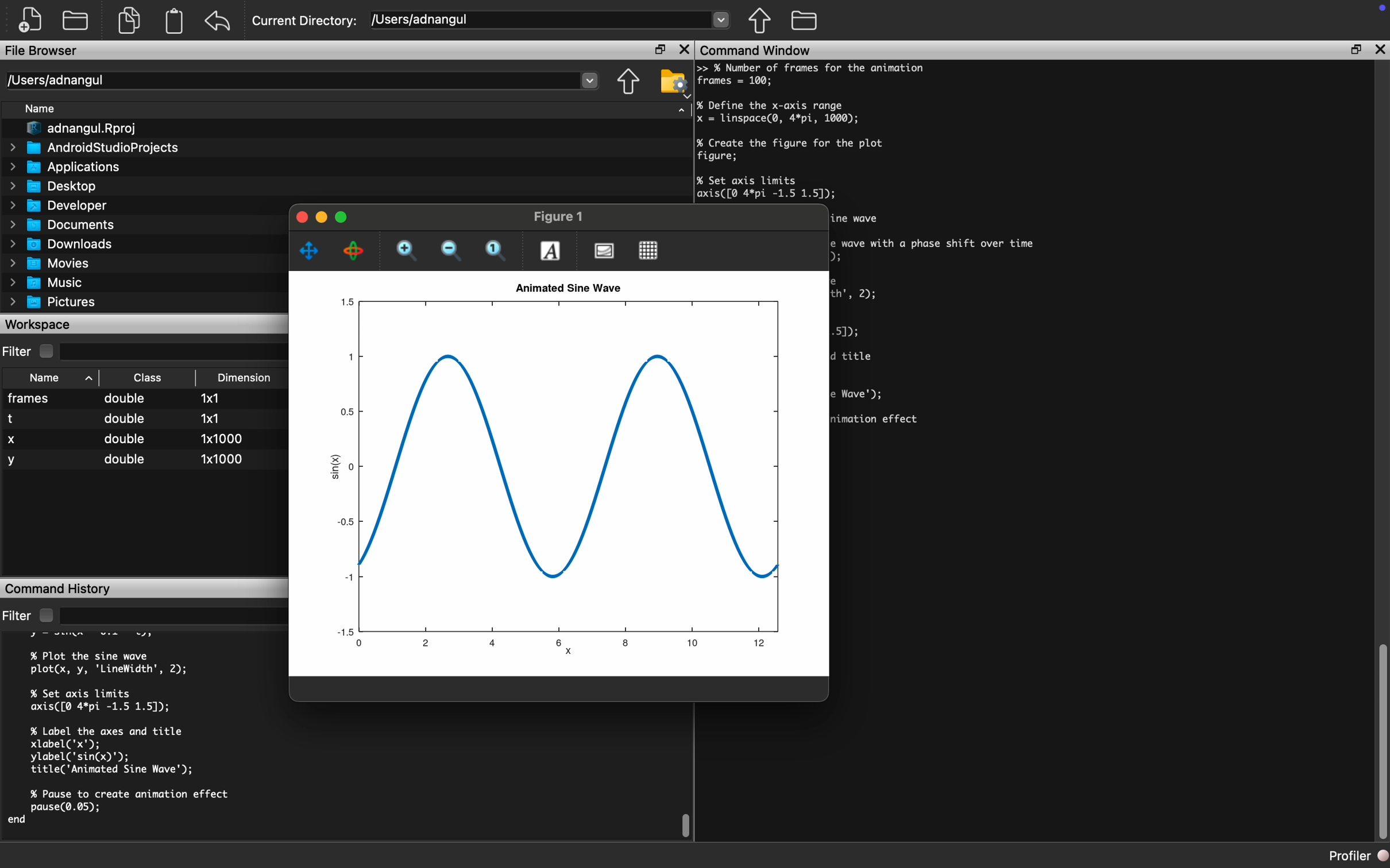  I want to click on Name, so click(45, 378).